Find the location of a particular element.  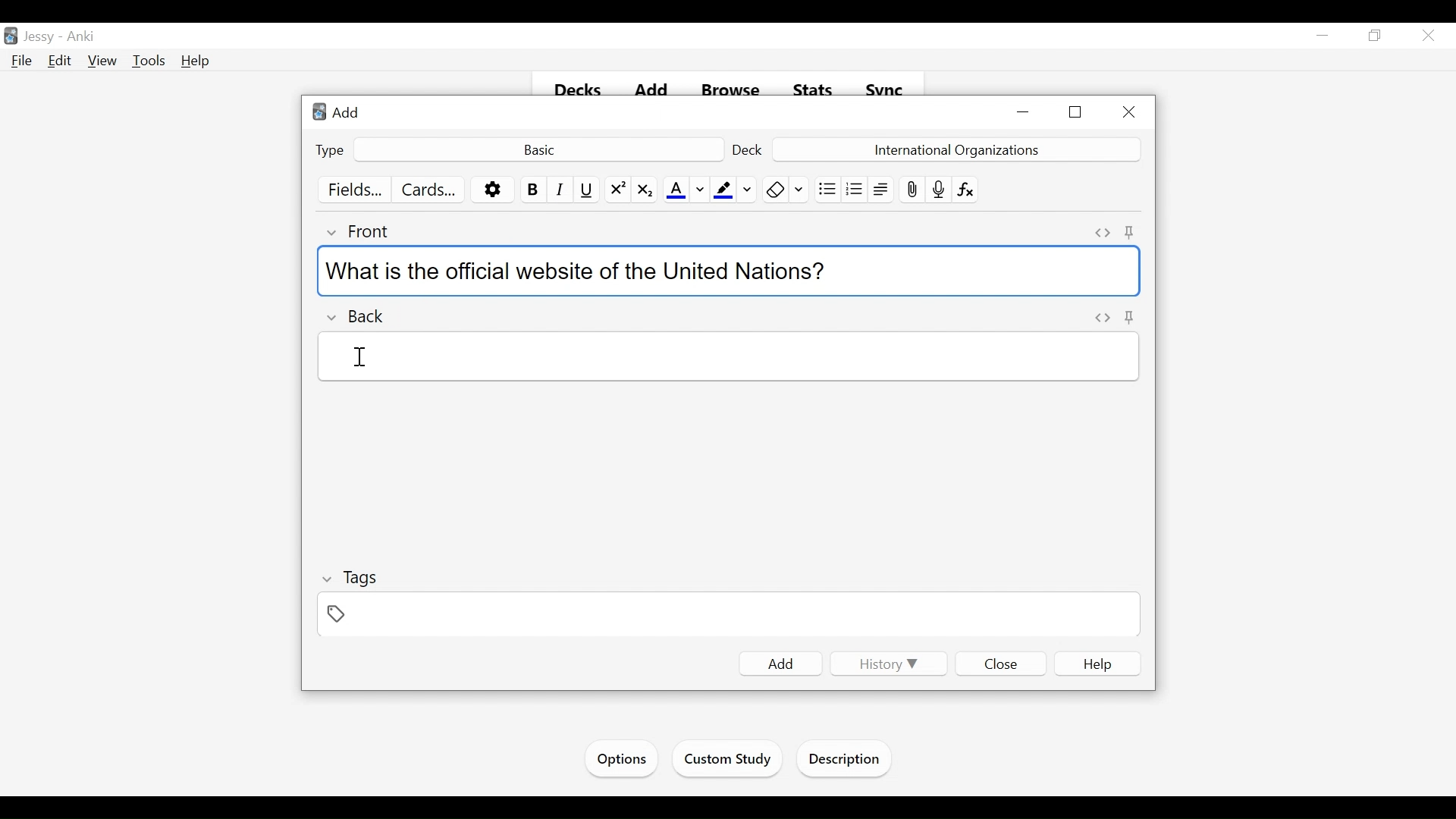

Close is located at coordinates (1129, 111).